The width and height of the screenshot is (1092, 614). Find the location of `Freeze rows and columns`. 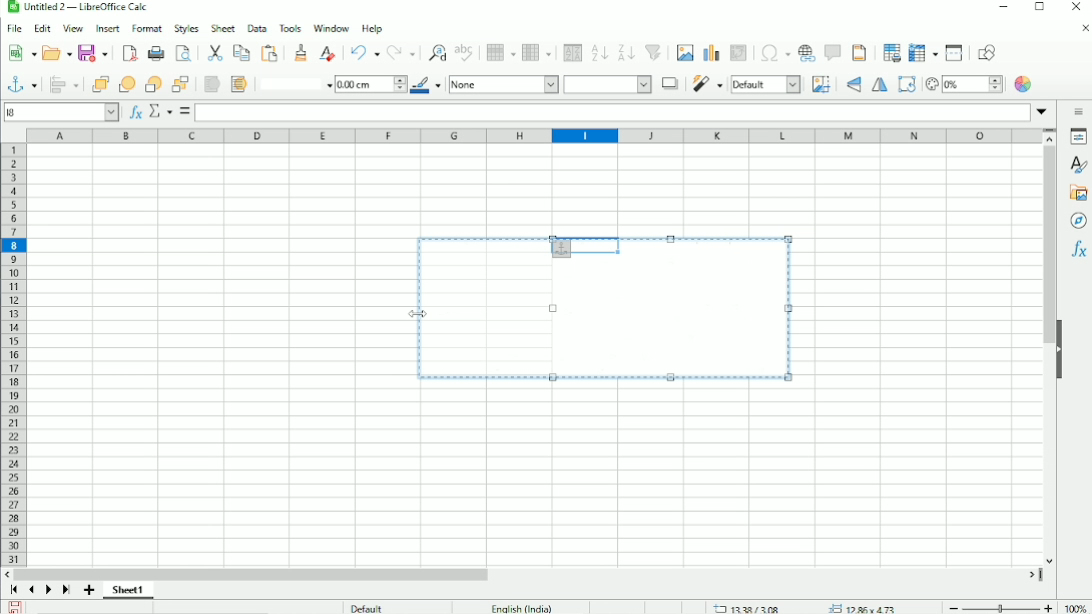

Freeze rows and columns is located at coordinates (921, 53).